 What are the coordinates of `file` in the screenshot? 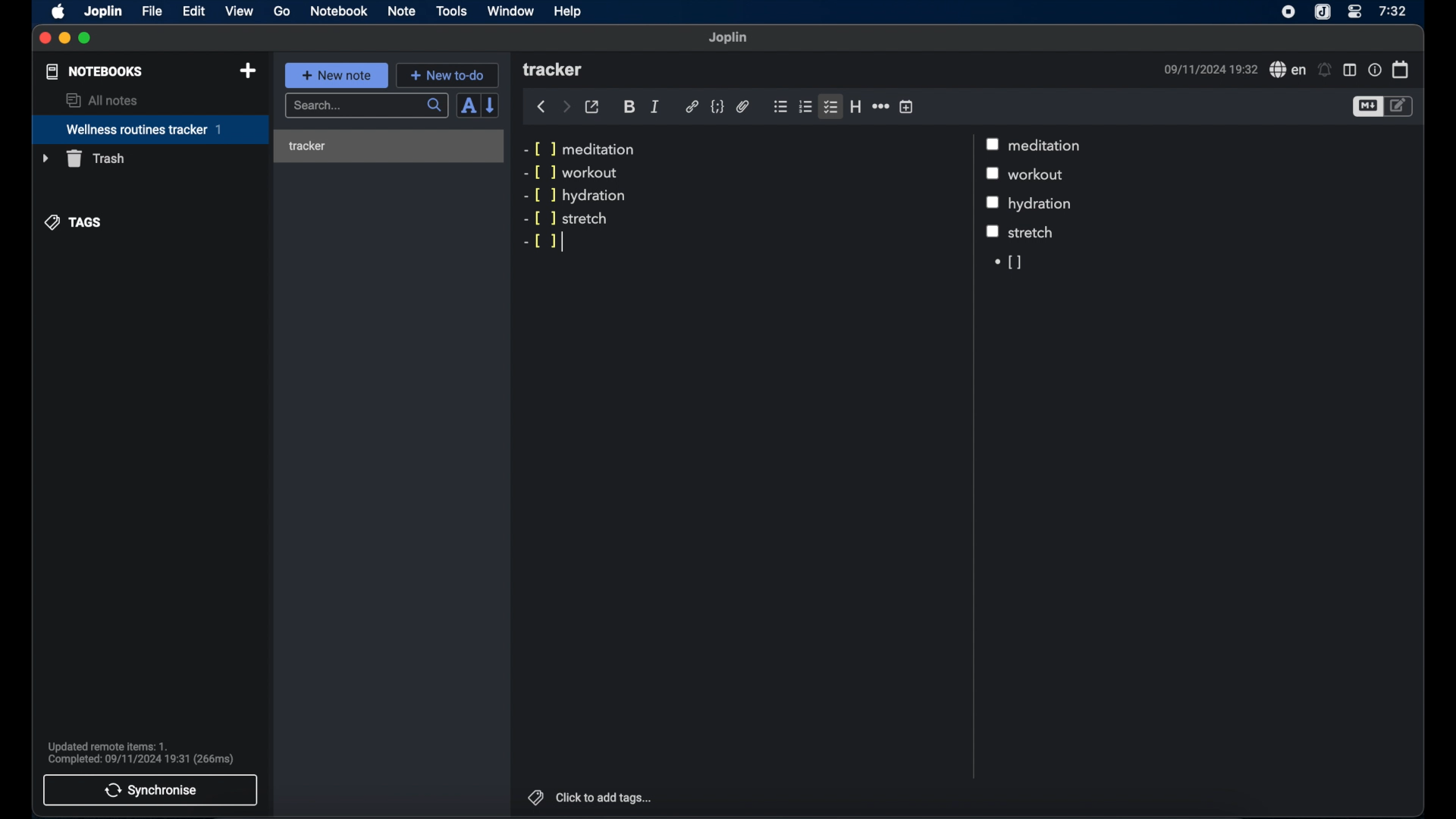 It's located at (152, 11).